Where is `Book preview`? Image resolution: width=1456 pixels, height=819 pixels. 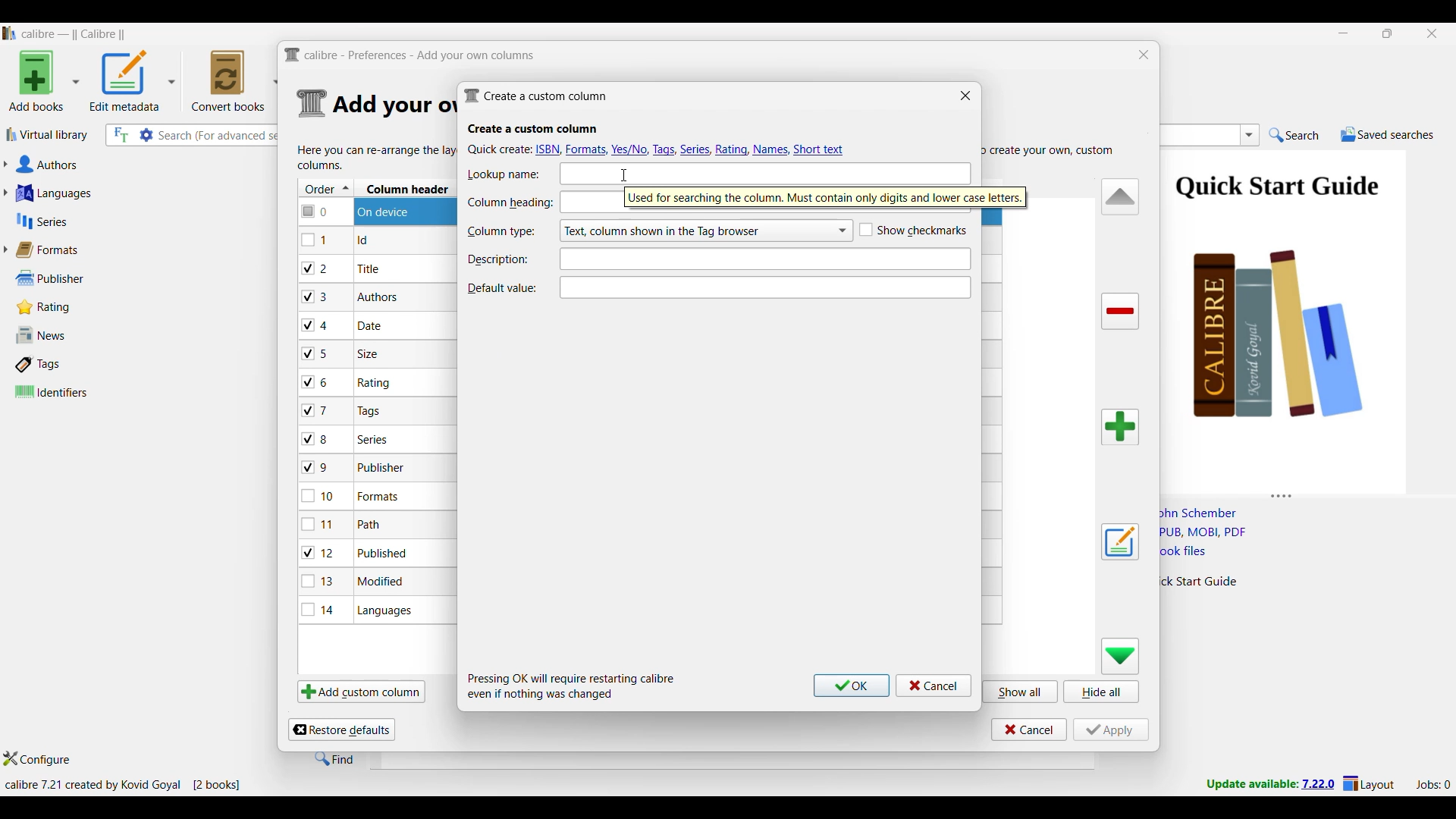
Book preview is located at coordinates (1303, 316).